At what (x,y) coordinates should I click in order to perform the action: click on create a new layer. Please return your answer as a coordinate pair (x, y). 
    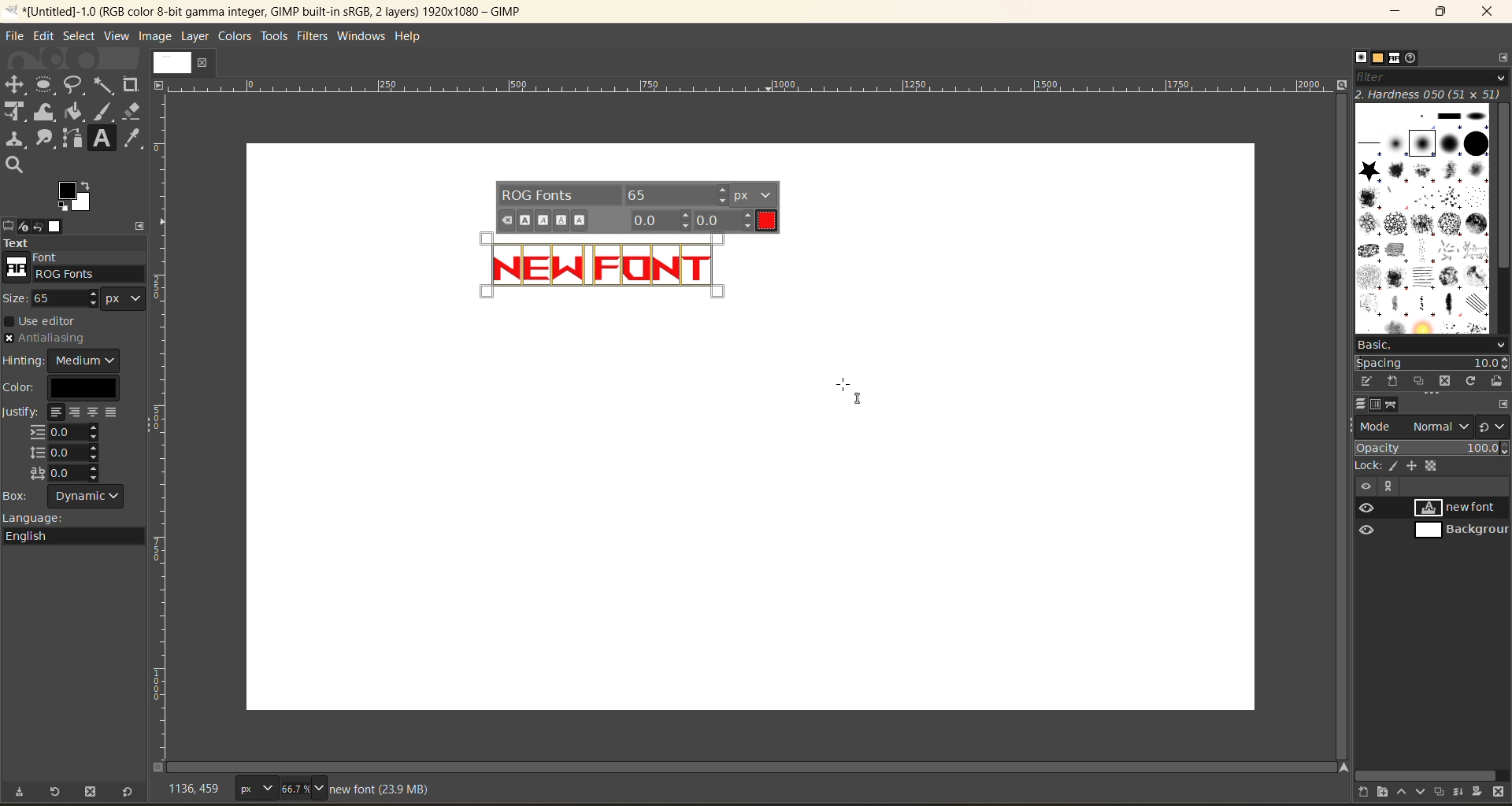
    Looking at the image, I should click on (1366, 791).